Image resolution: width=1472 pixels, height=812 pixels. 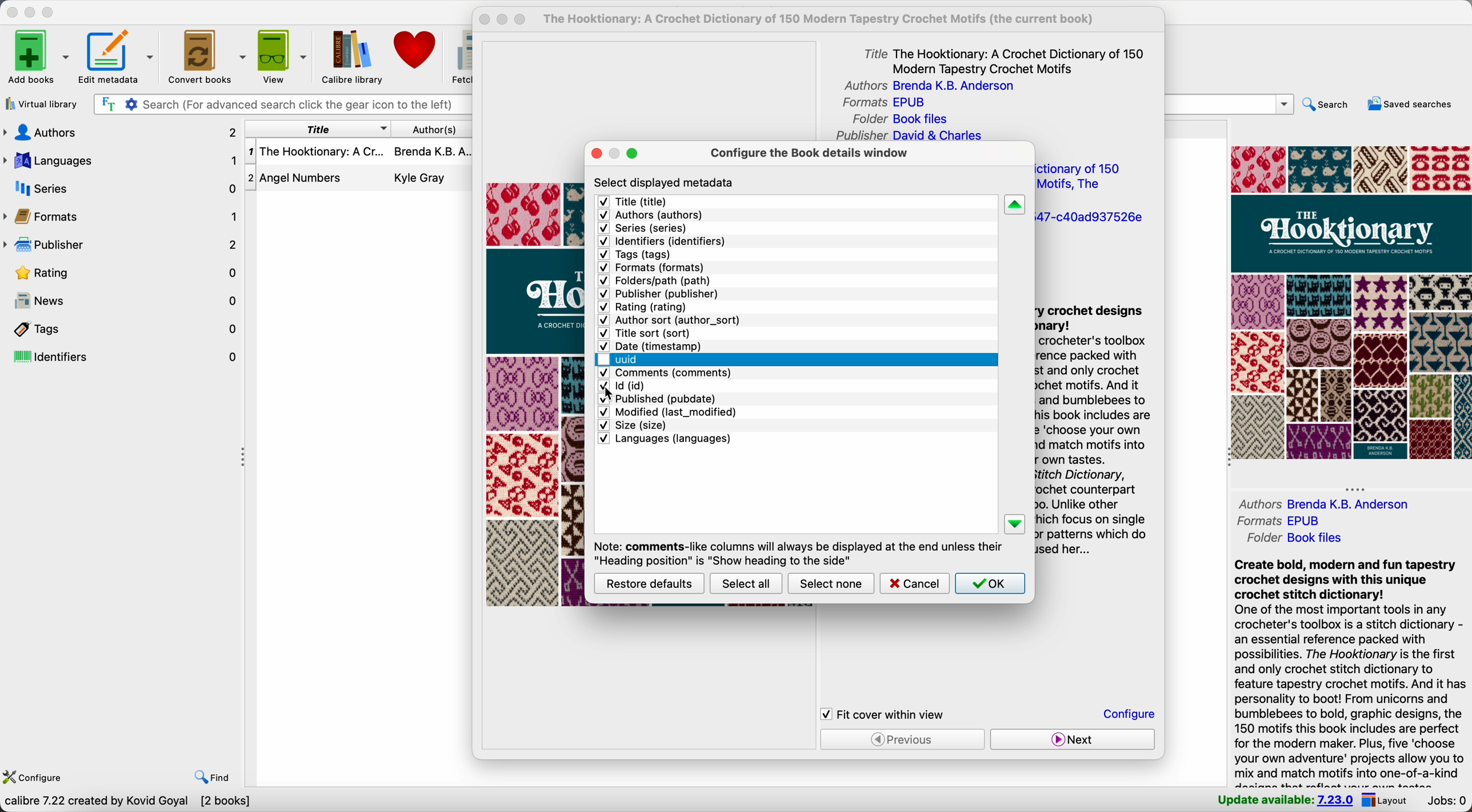 What do you see at coordinates (649, 334) in the screenshot?
I see `title sort` at bounding box center [649, 334].